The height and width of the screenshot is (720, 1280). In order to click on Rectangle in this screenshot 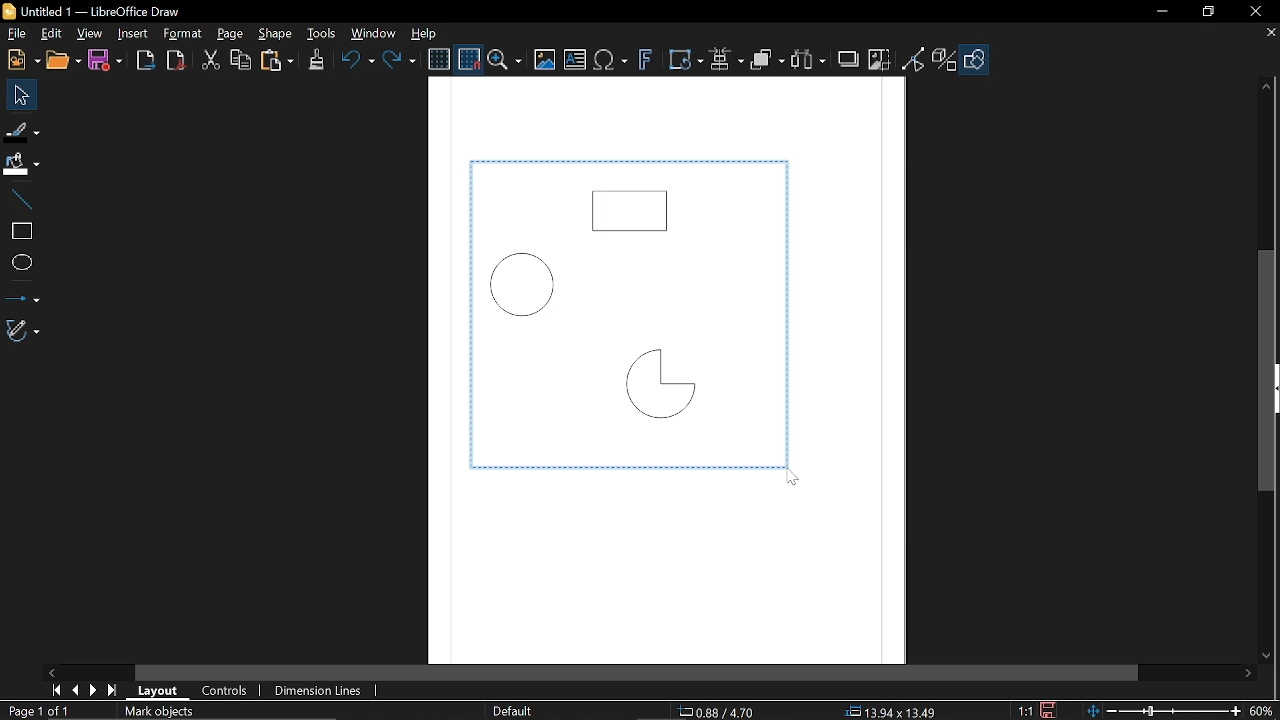, I will do `click(632, 206)`.